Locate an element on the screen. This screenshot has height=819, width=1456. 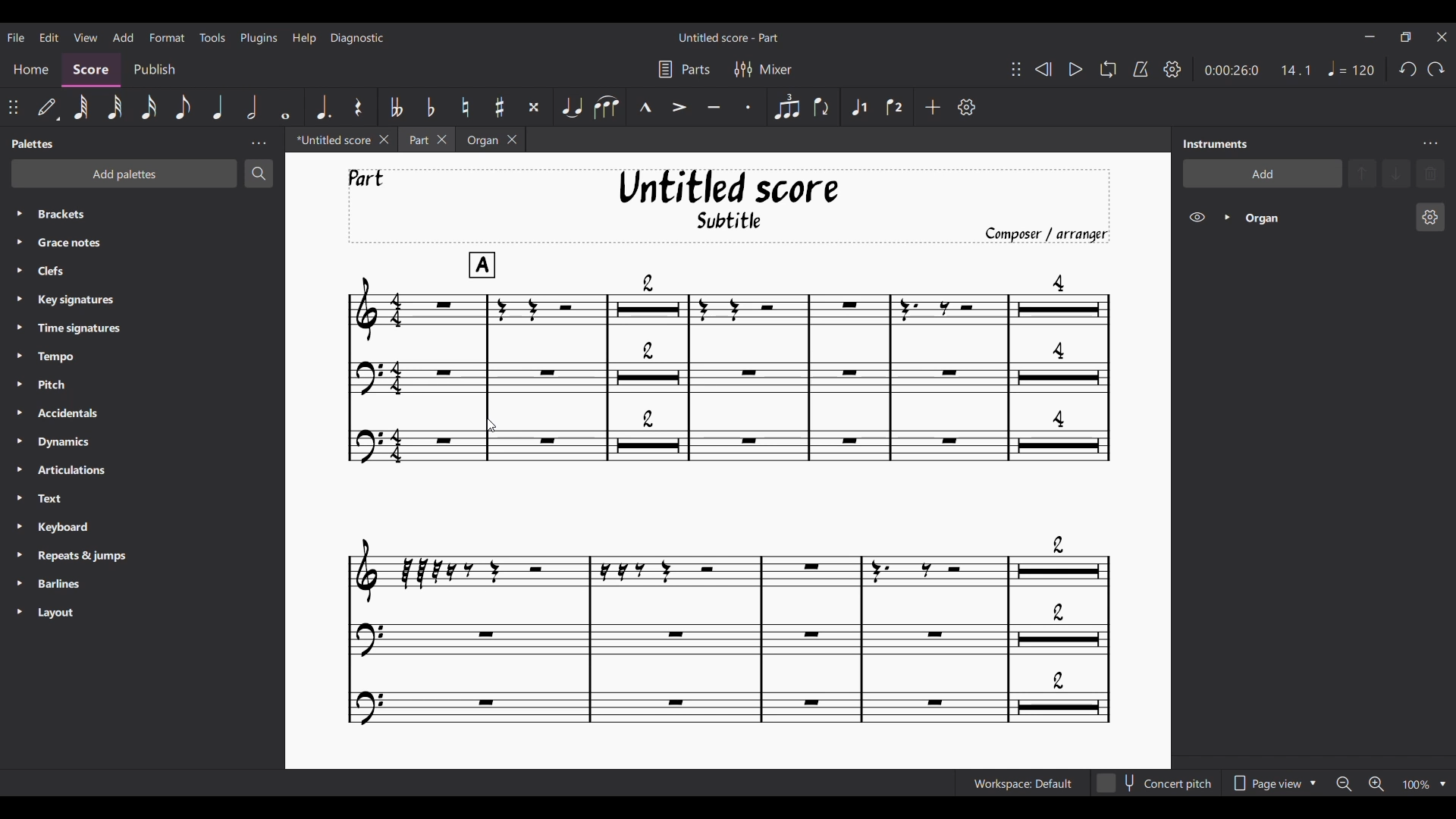
64th note is located at coordinates (80, 108).